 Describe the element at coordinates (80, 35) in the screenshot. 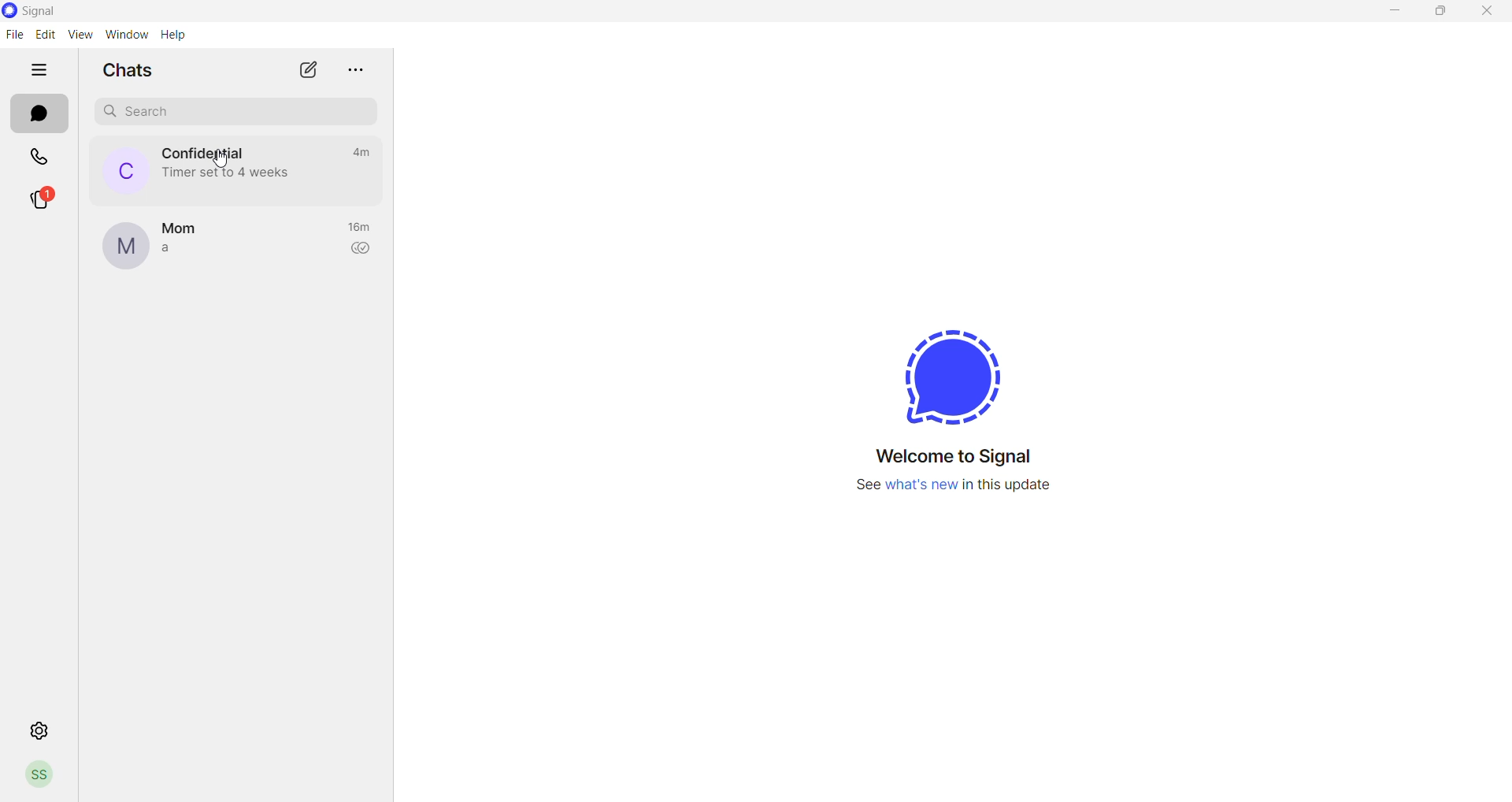

I see `view` at that location.